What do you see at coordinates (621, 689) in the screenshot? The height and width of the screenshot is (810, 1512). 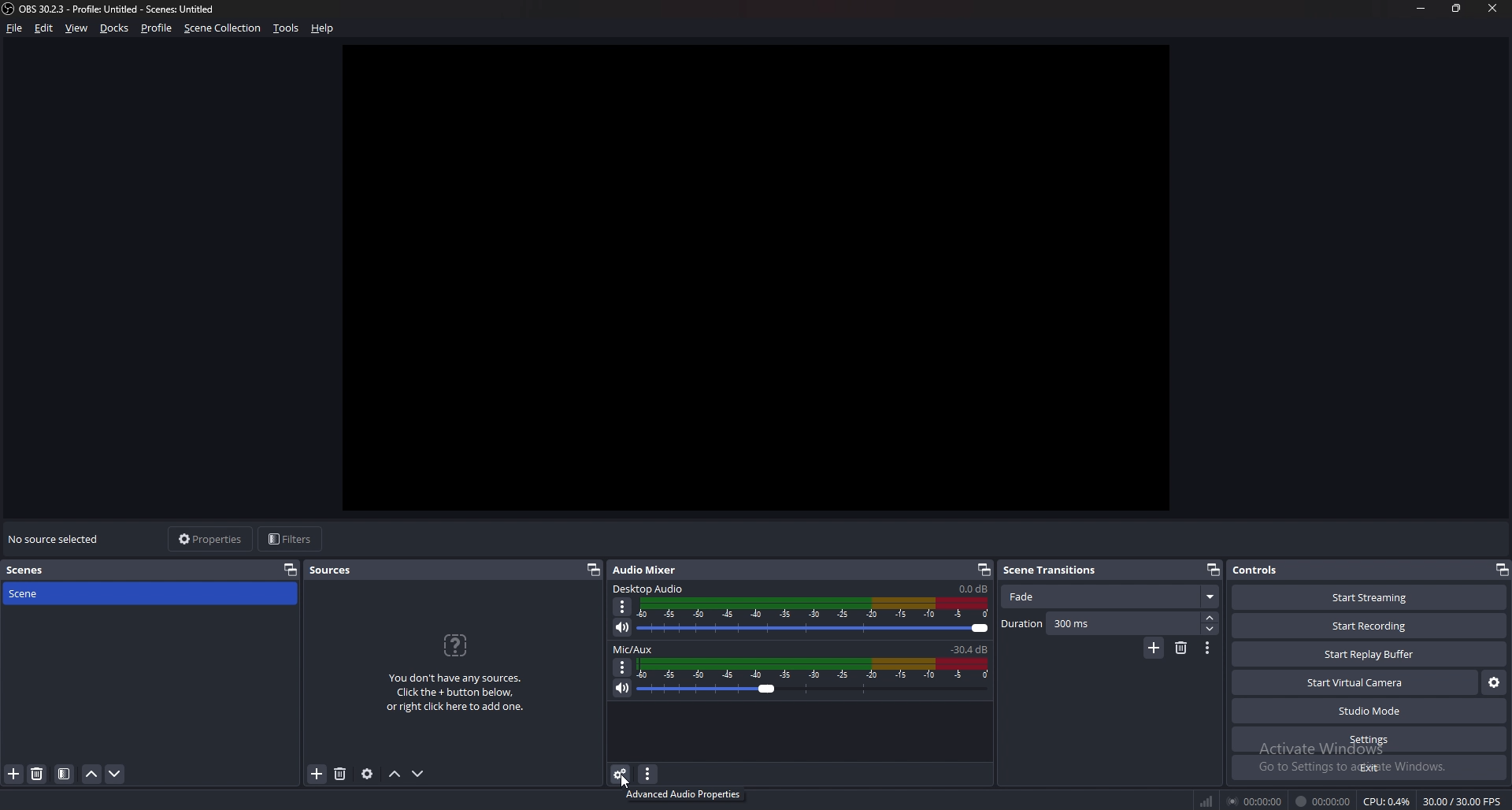 I see `mute` at bounding box center [621, 689].